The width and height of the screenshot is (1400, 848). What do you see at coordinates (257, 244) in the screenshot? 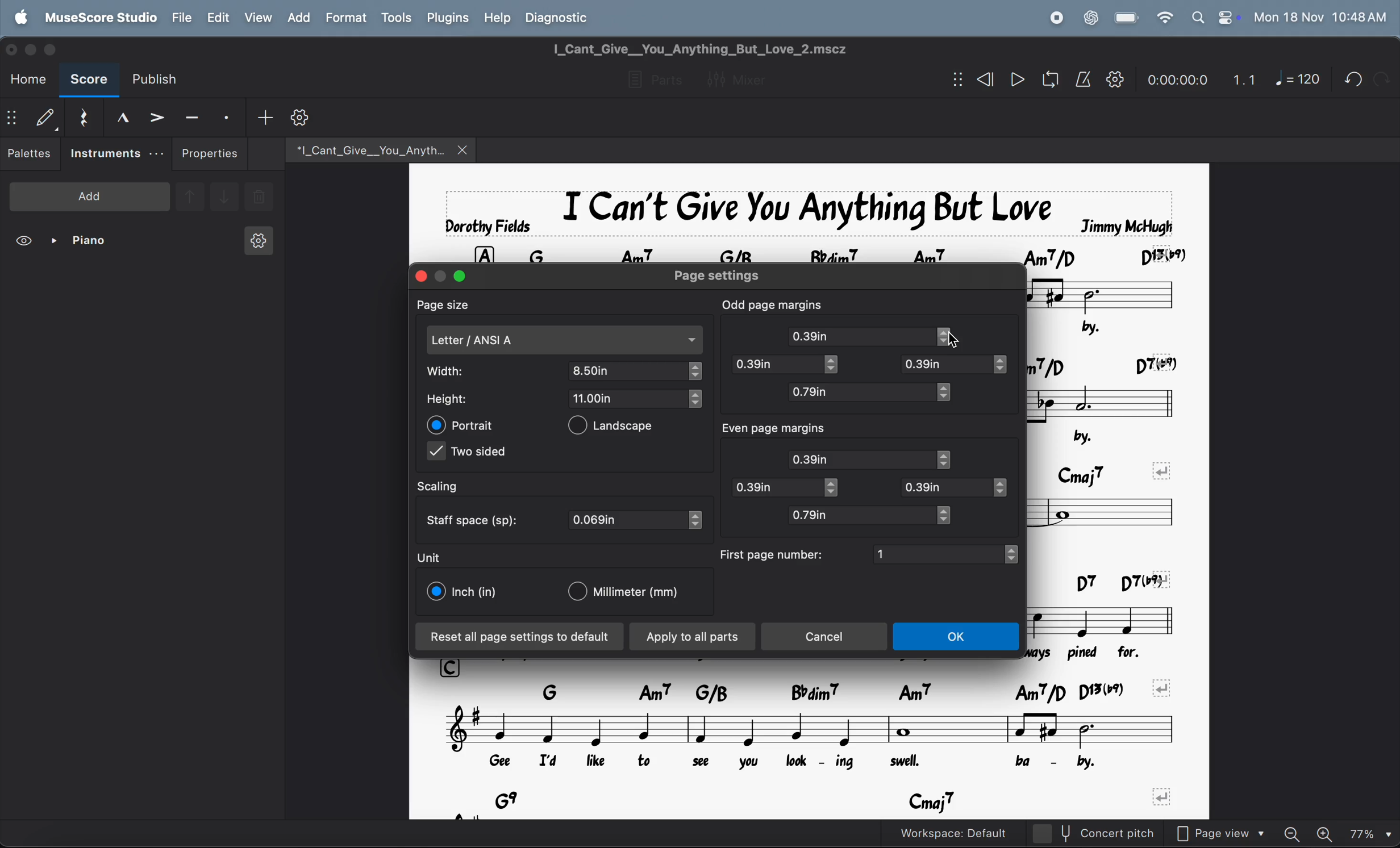
I see `instrument settings` at bounding box center [257, 244].